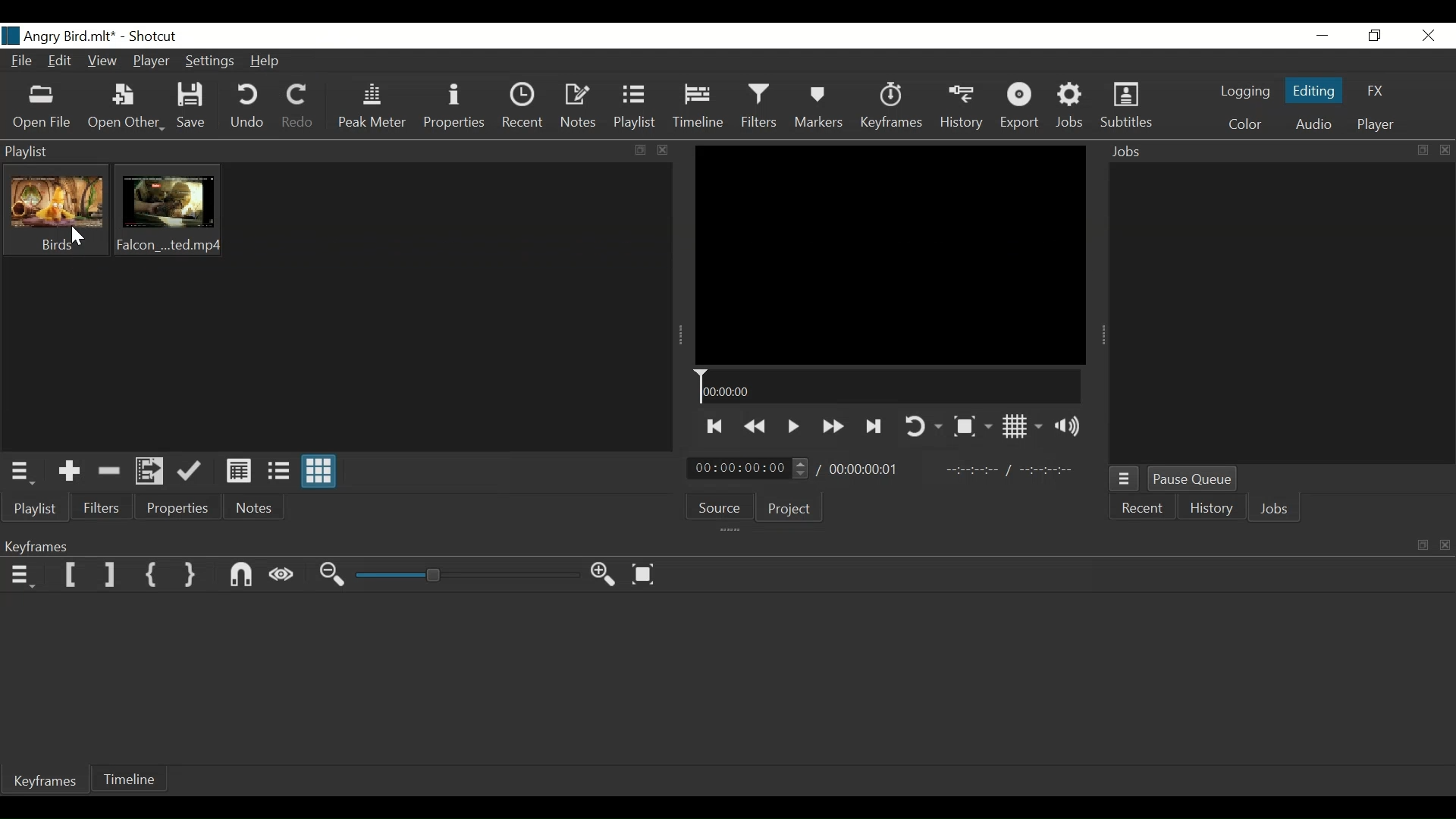 The image size is (1456, 819). What do you see at coordinates (1276, 508) in the screenshot?
I see `Jobs` at bounding box center [1276, 508].